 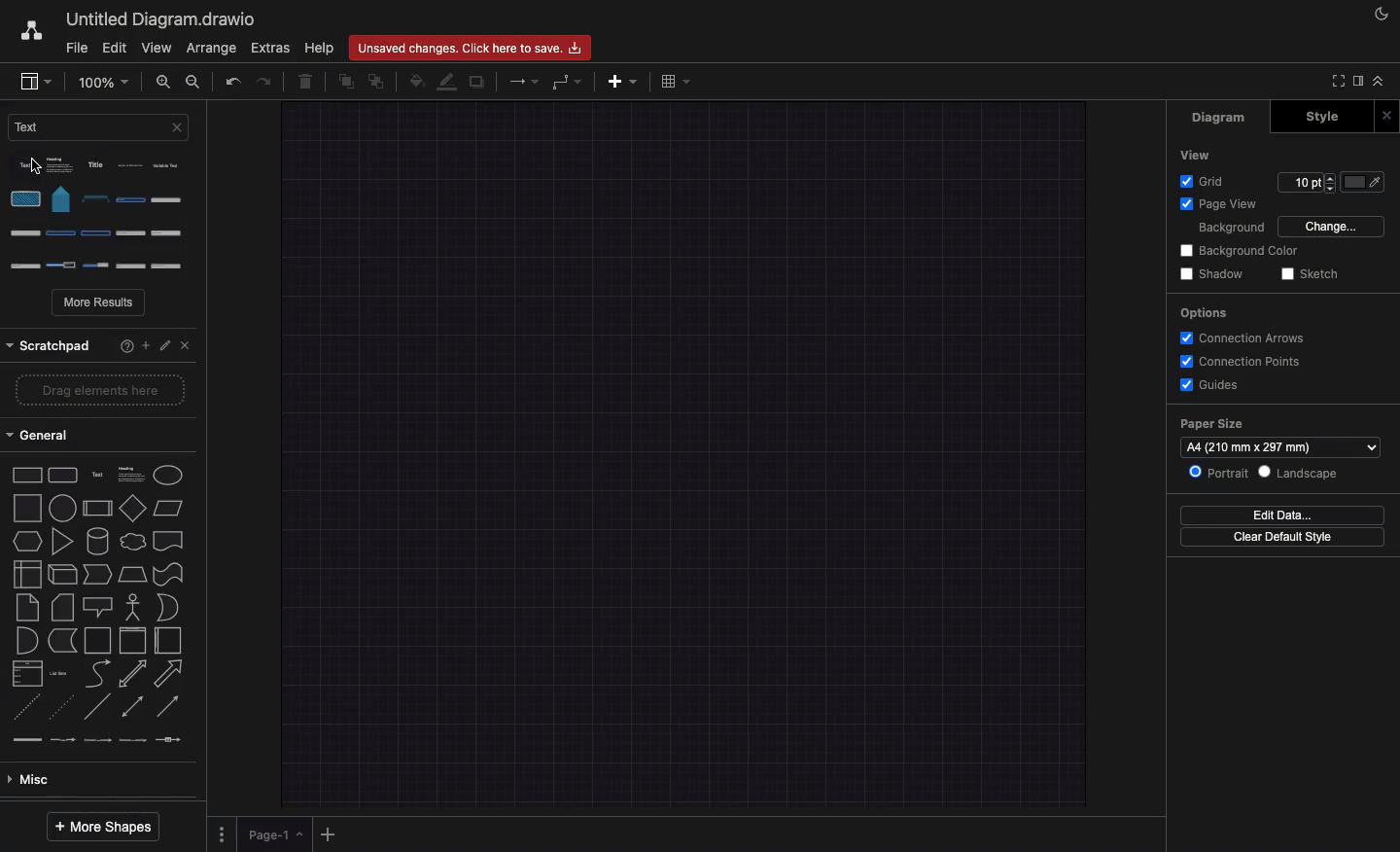 What do you see at coordinates (1242, 337) in the screenshot?
I see `Connection arrows` at bounding box center [1242, 337].